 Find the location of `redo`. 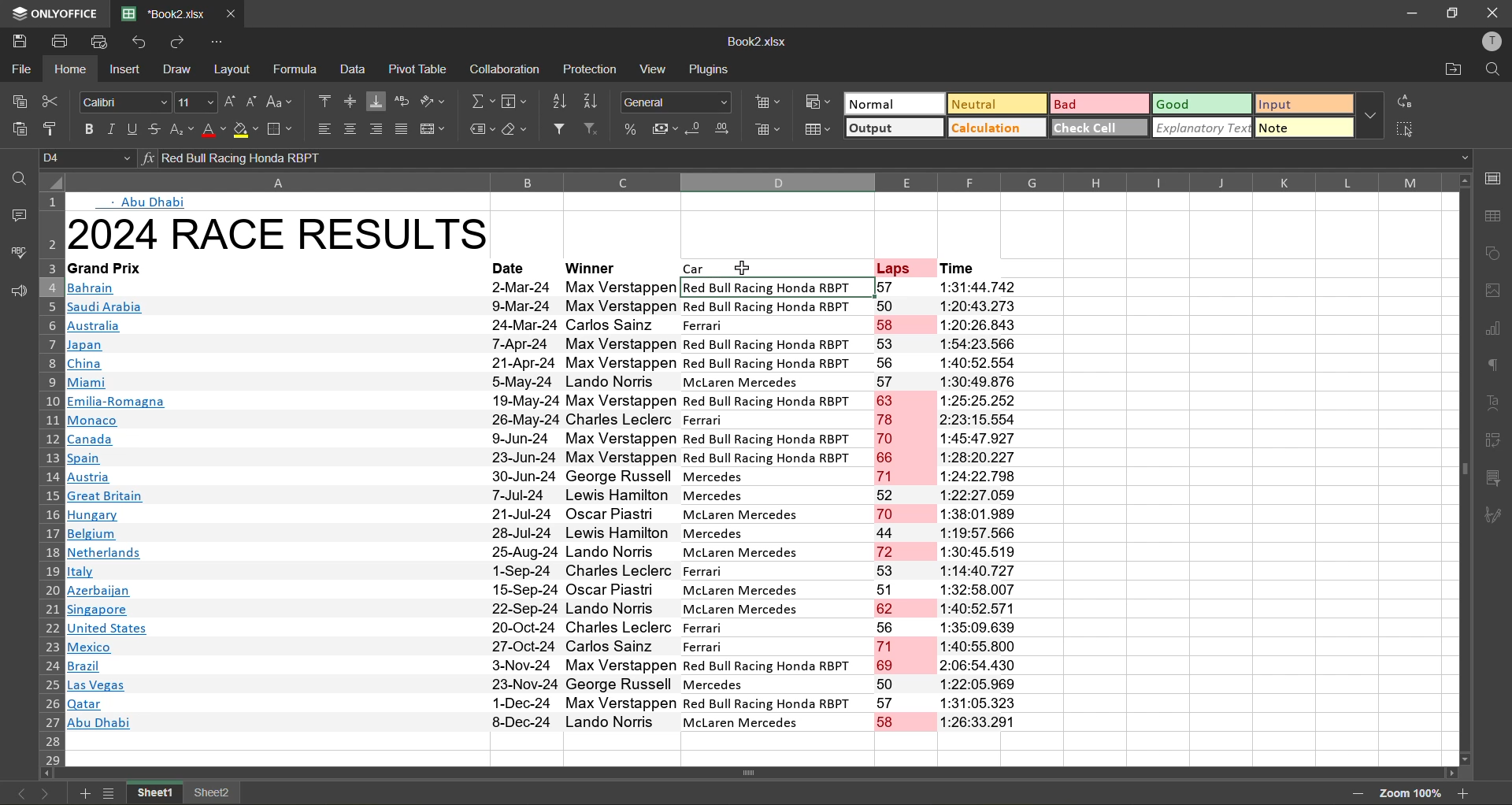

redo is located at coordinates (178, 43).